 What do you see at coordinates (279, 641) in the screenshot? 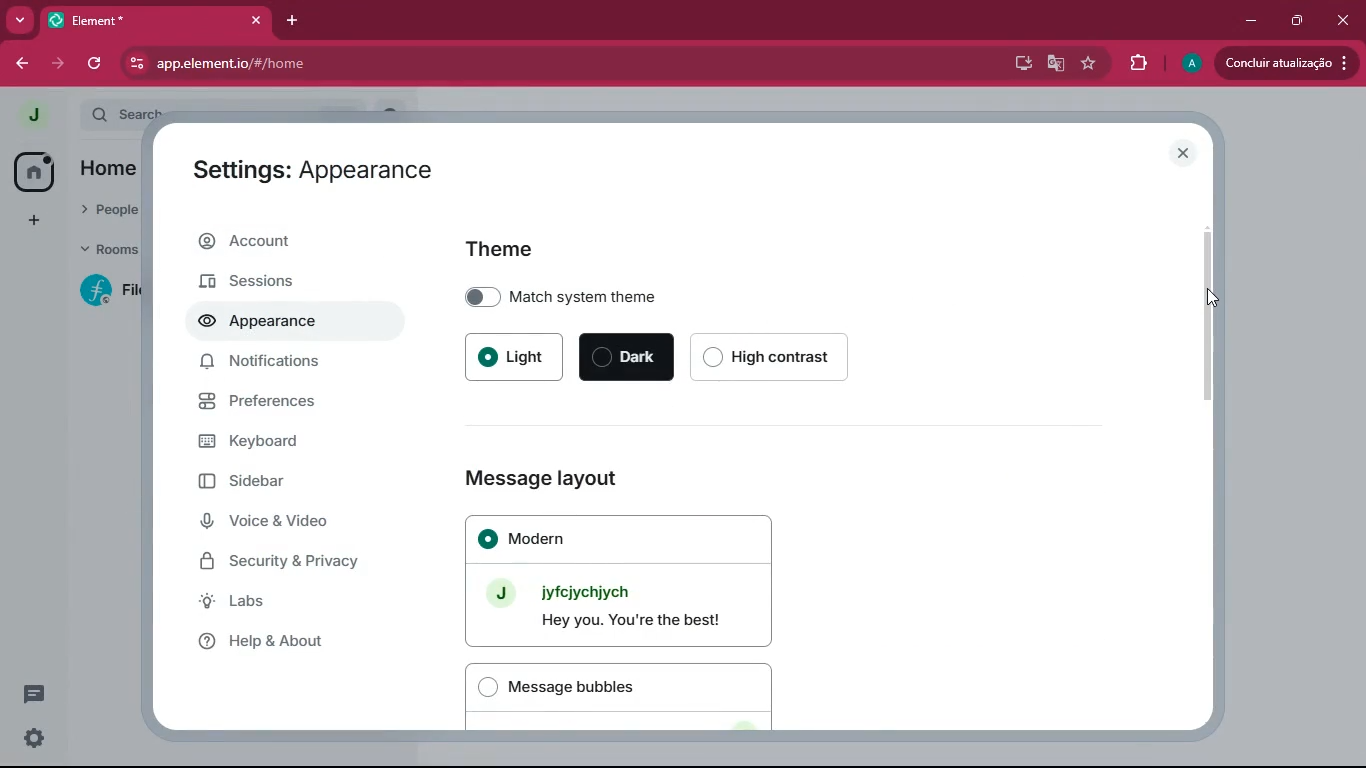
I see `help & about` at bounding box center [279, 641].